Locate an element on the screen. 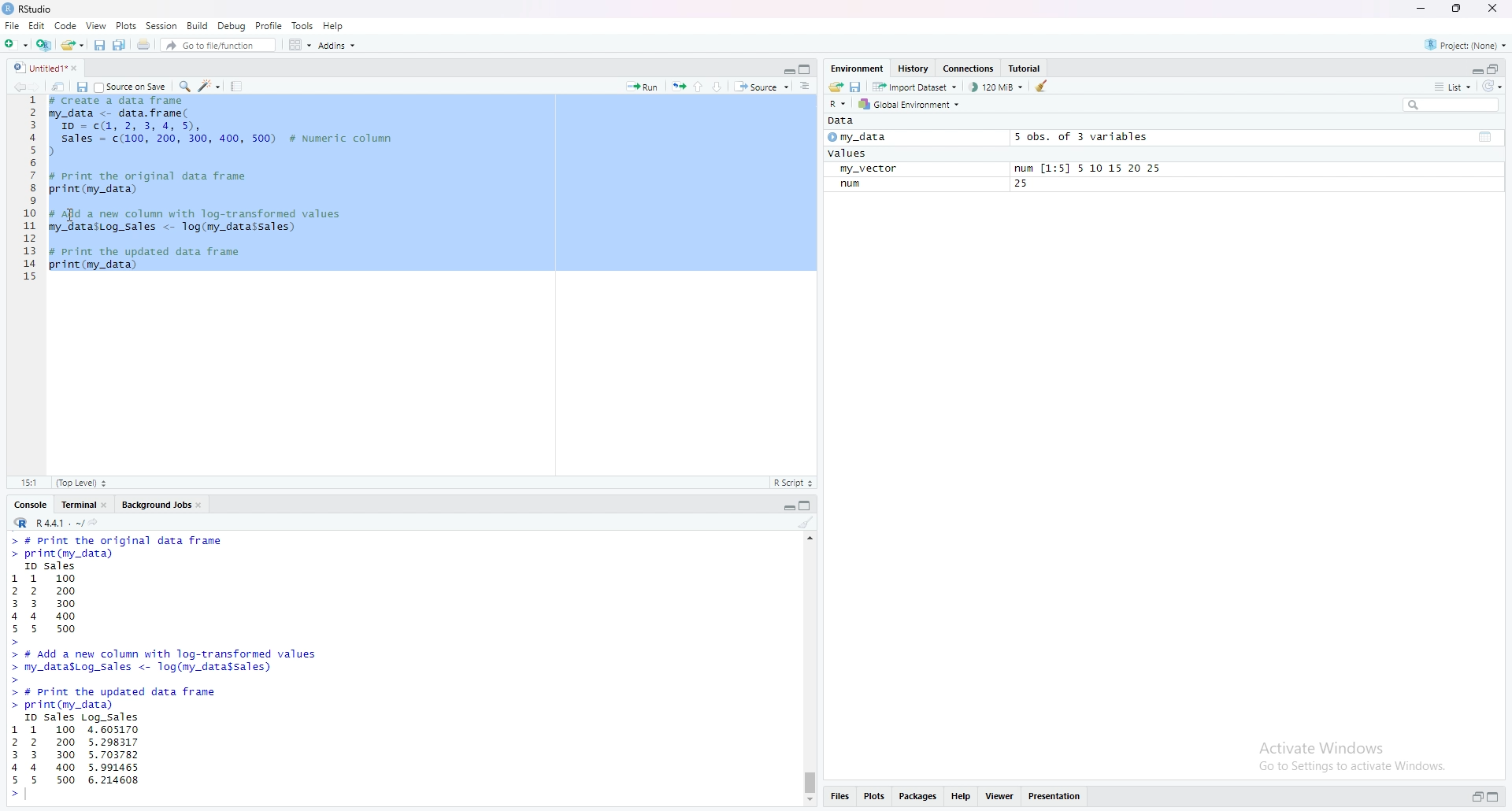 This screenshot has height=811, width=1512. packages is located at coordinates (916, 799).